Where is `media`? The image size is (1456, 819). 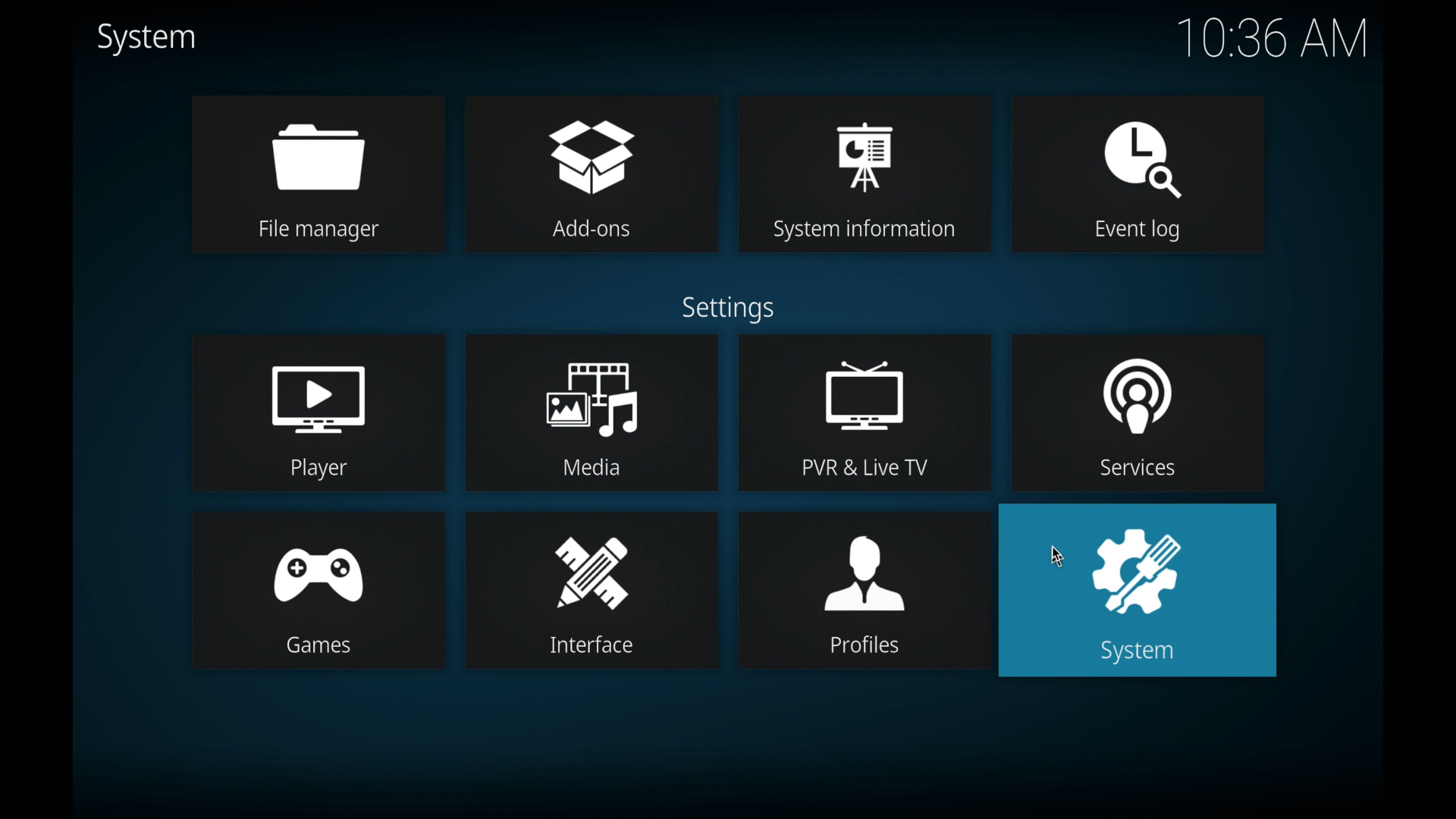 media is located at coordinates (593, 412).